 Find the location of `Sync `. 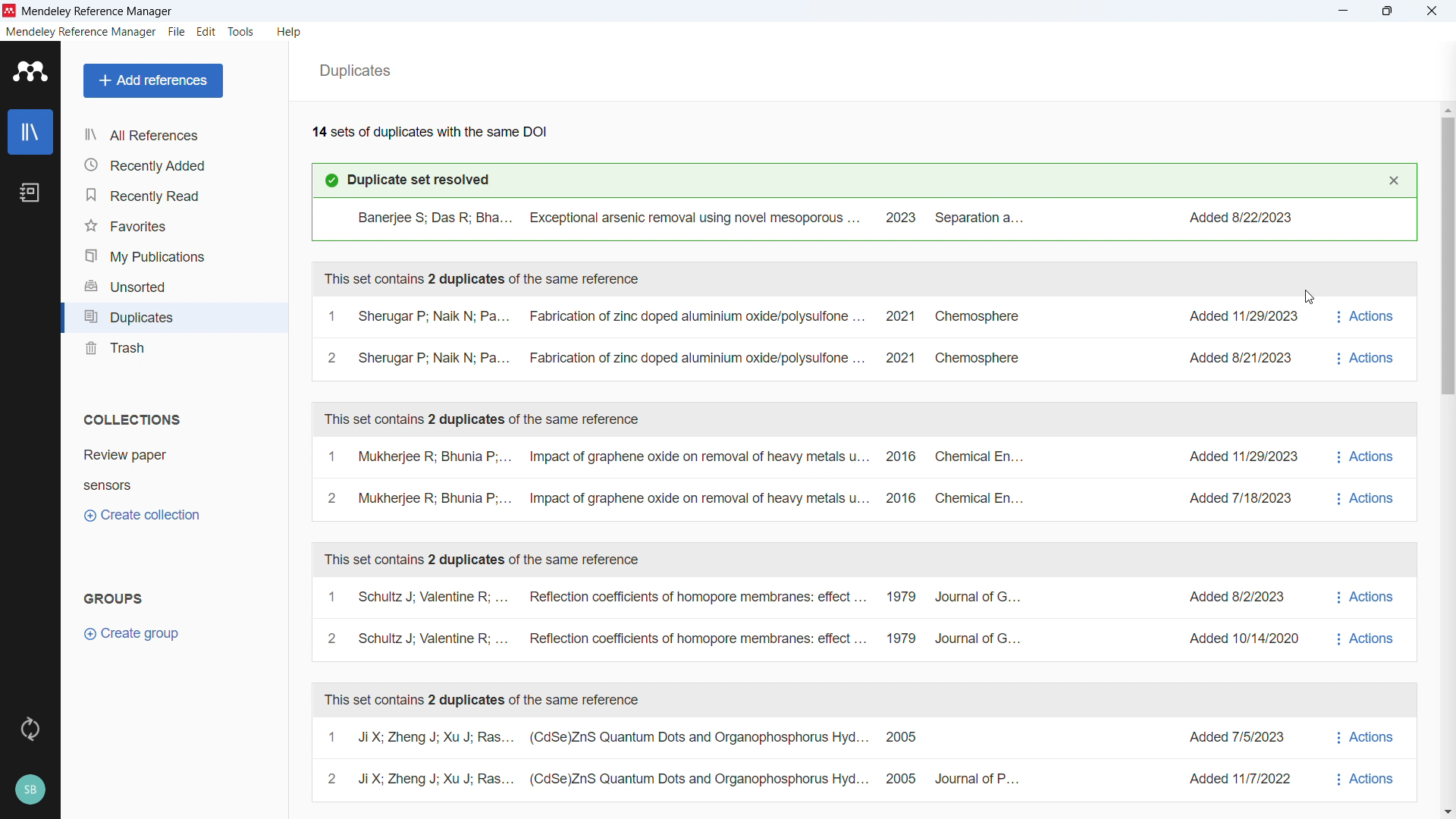

Sync  is located at coordinates (30, 727).